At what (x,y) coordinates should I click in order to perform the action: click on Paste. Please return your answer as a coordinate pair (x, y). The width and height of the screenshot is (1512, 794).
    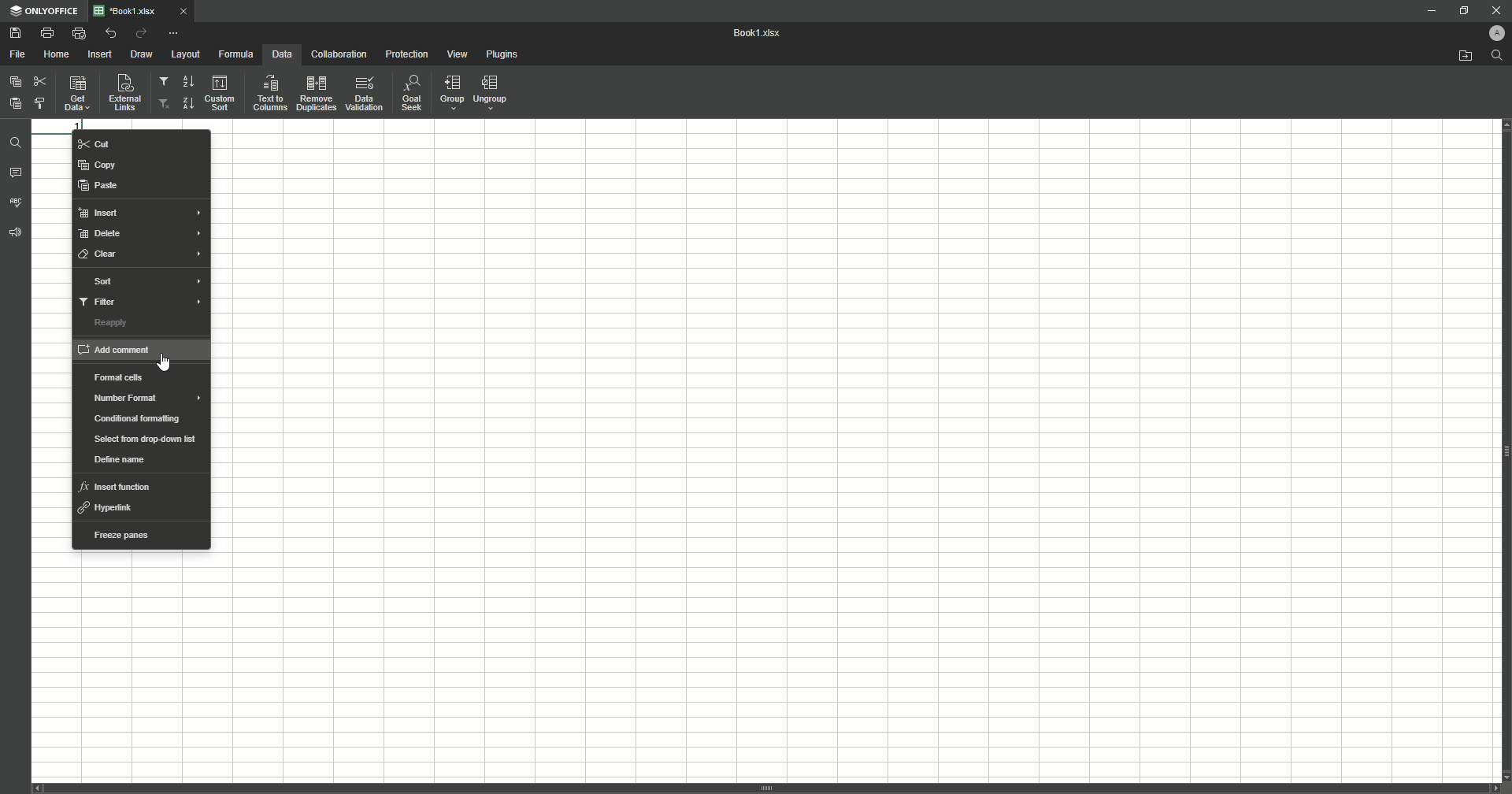
    Looking at the image, I should click on (15, 102).